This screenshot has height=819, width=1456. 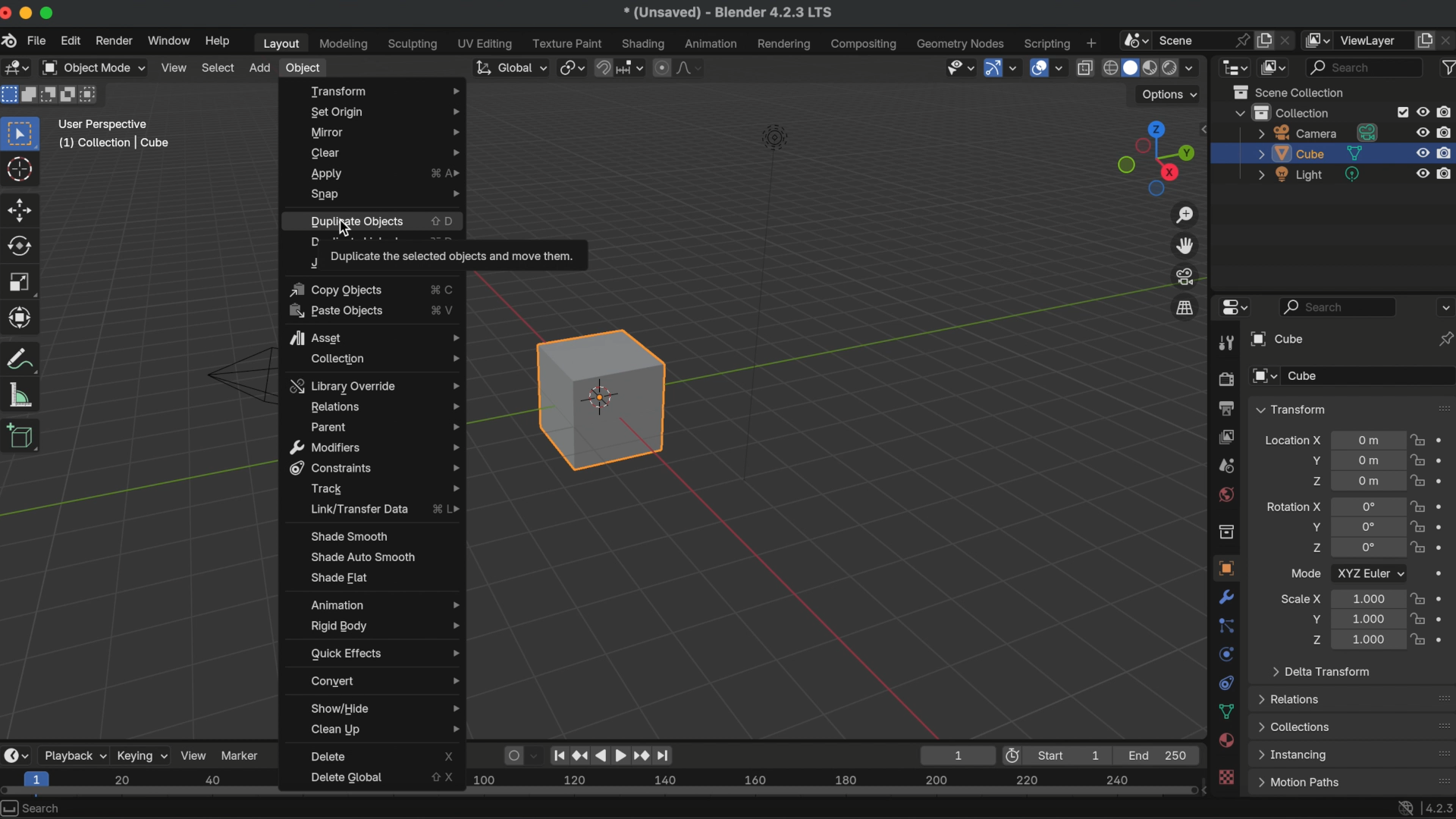 What do you see at coordinates (1316, 481) in the screenshot?
I see `location Z` at bounding box center [1316, 481].